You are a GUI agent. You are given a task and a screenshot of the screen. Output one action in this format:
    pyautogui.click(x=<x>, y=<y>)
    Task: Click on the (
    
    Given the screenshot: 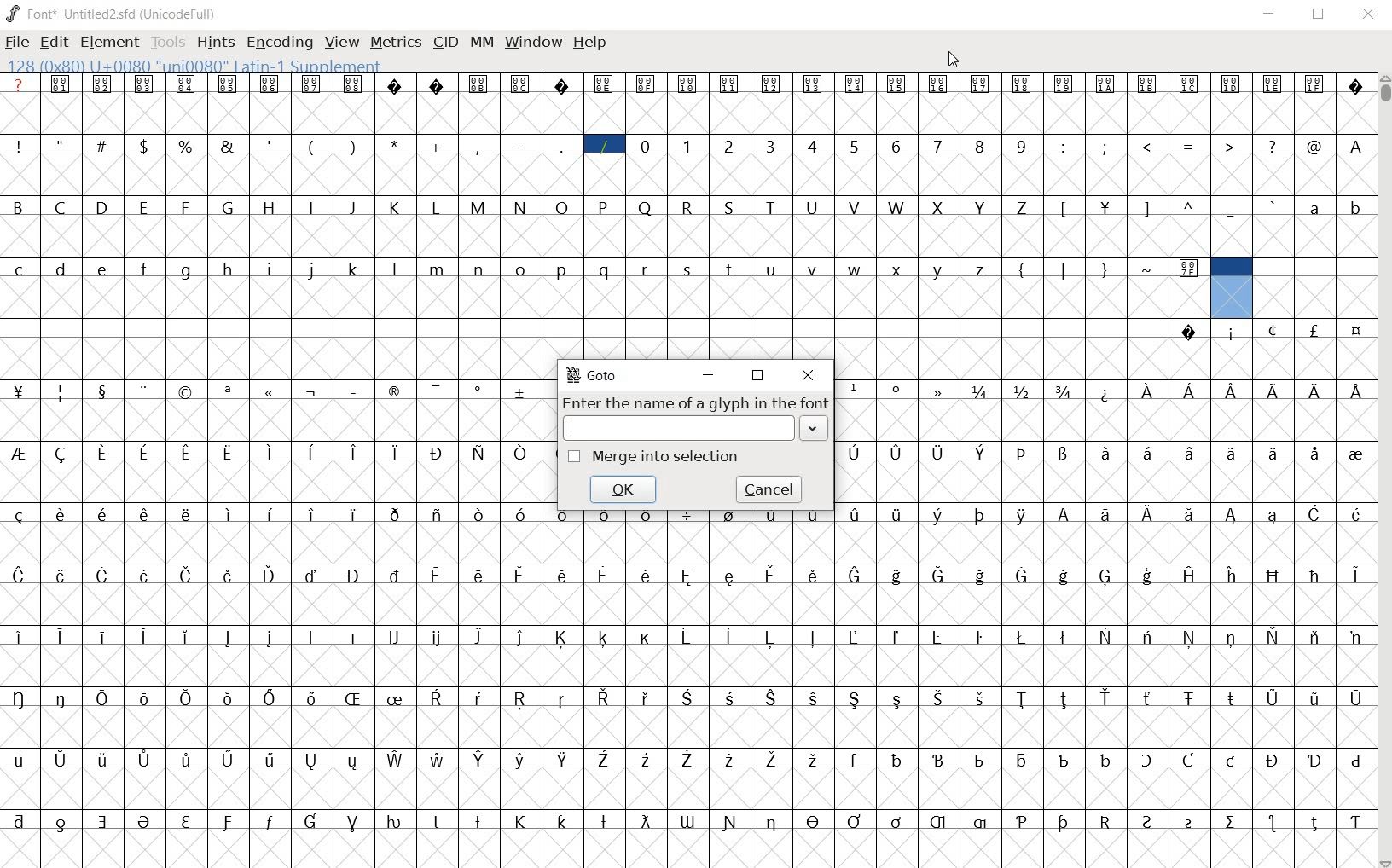 What is the action you would take?
    pyautogui.click(x=312, y=145)
    